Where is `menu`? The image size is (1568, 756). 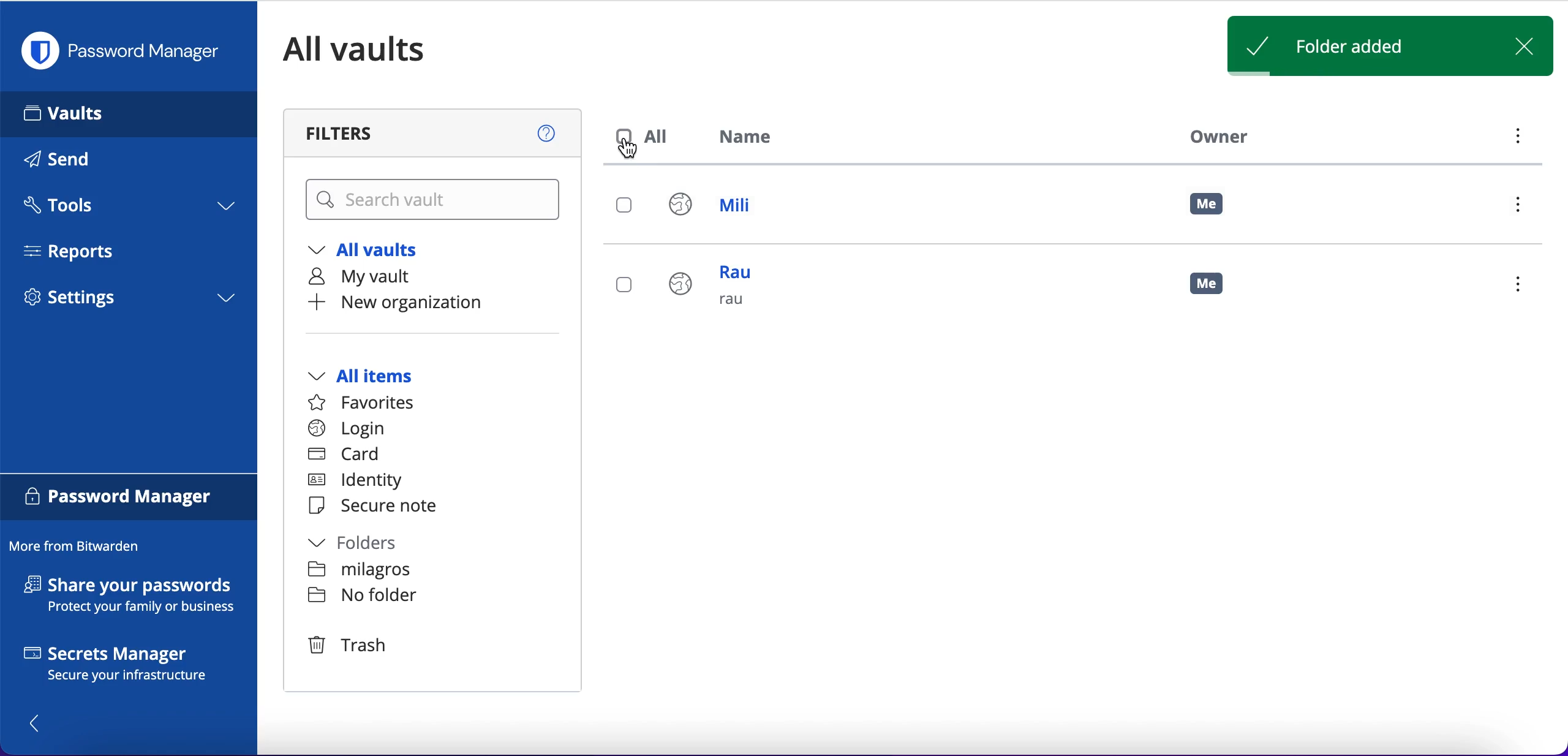 menu is located at coordinates (1514, 286).